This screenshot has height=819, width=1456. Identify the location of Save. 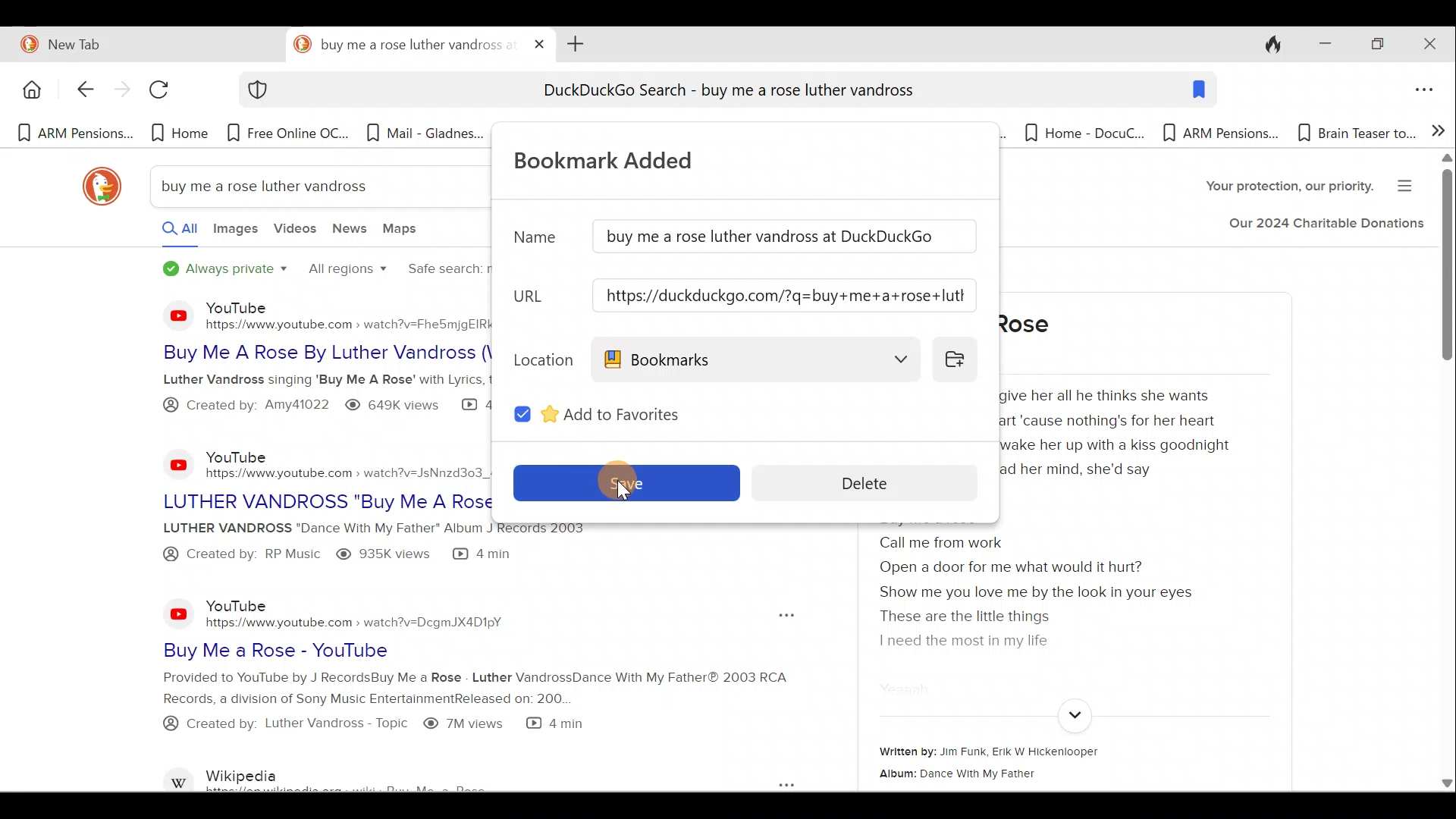
(624, 480).